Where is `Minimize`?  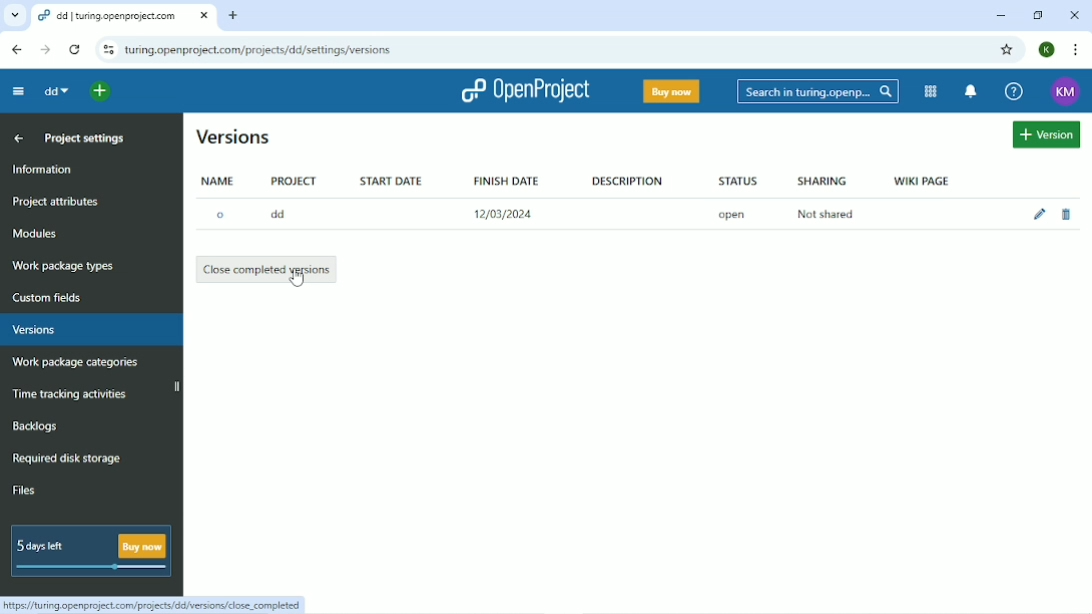 Minimize is located at coordinates (1001, 16).